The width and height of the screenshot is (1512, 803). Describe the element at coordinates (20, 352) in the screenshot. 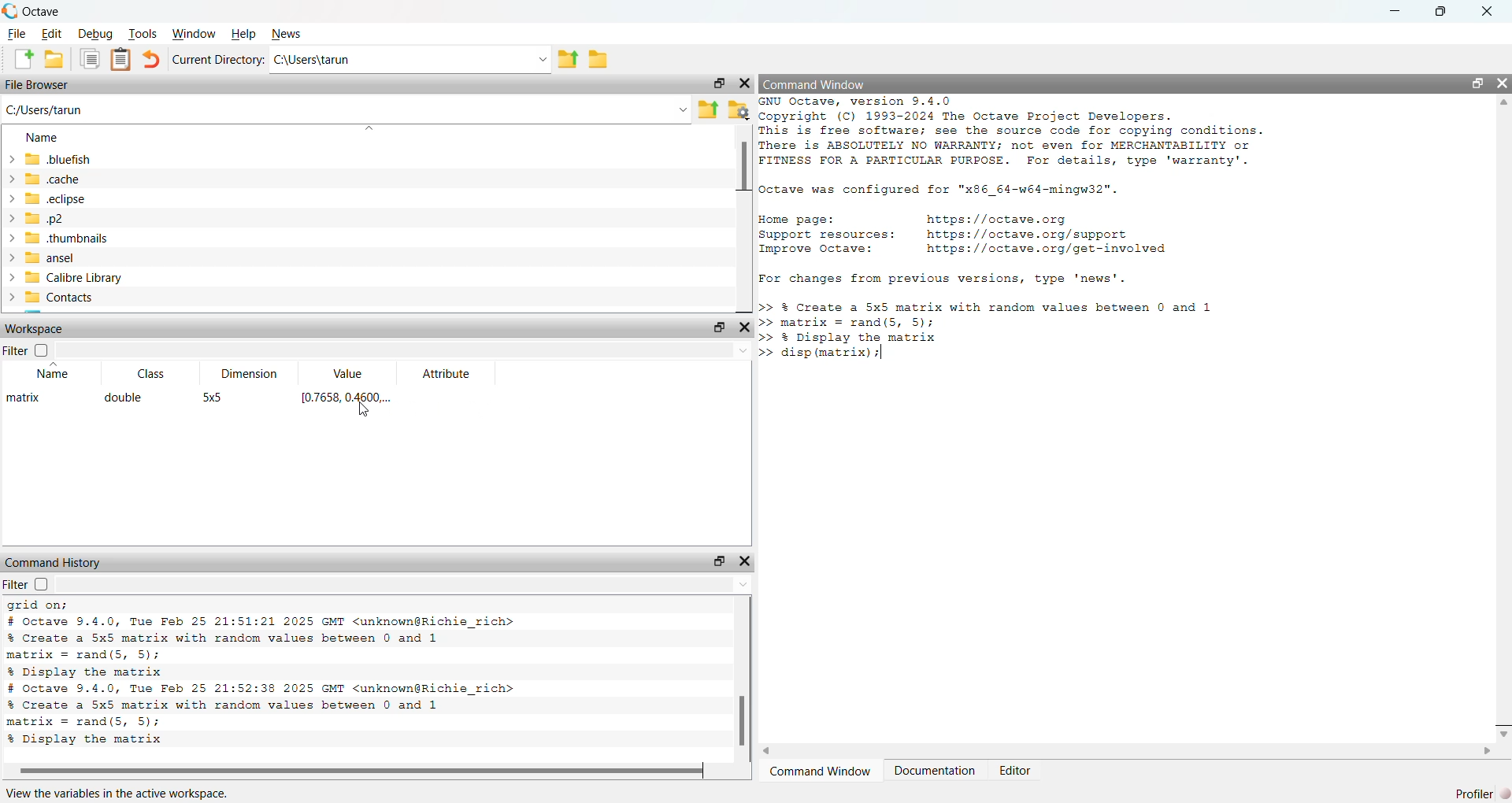

I see `Filter |` at that location.